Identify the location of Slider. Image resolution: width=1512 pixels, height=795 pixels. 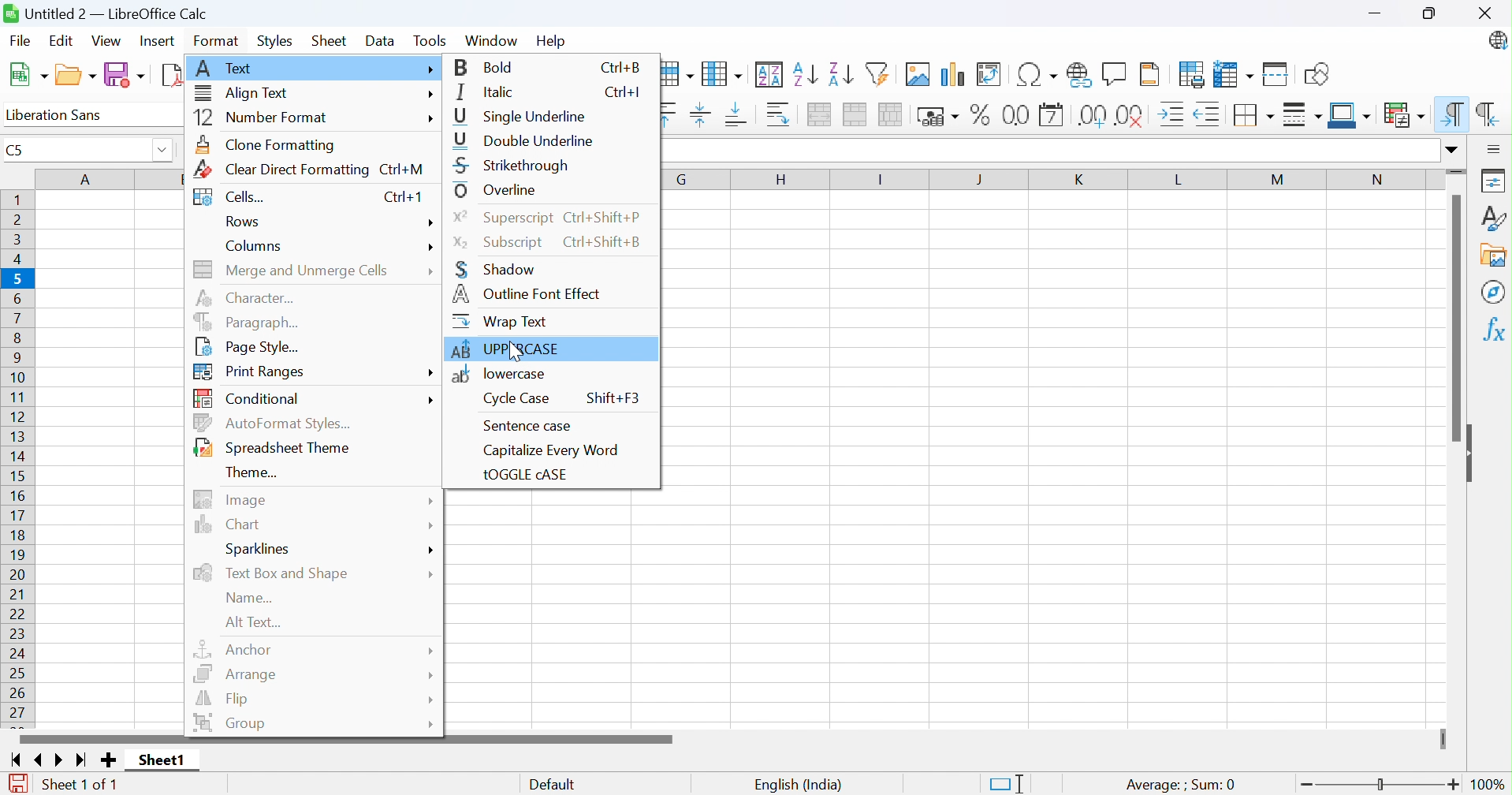
(1443, 740).